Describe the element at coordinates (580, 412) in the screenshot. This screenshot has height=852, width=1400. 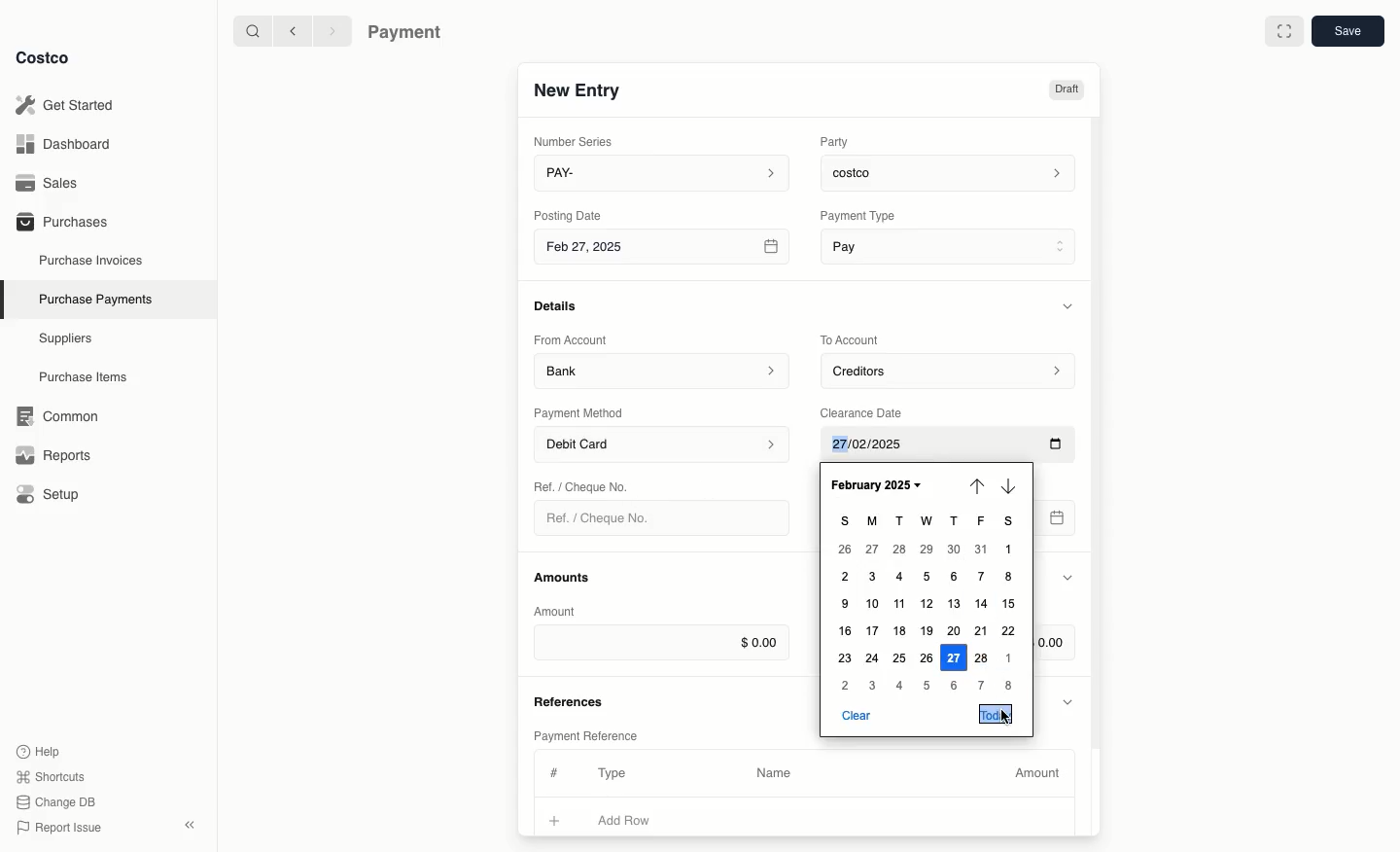
I see `Payment Method` at that location.